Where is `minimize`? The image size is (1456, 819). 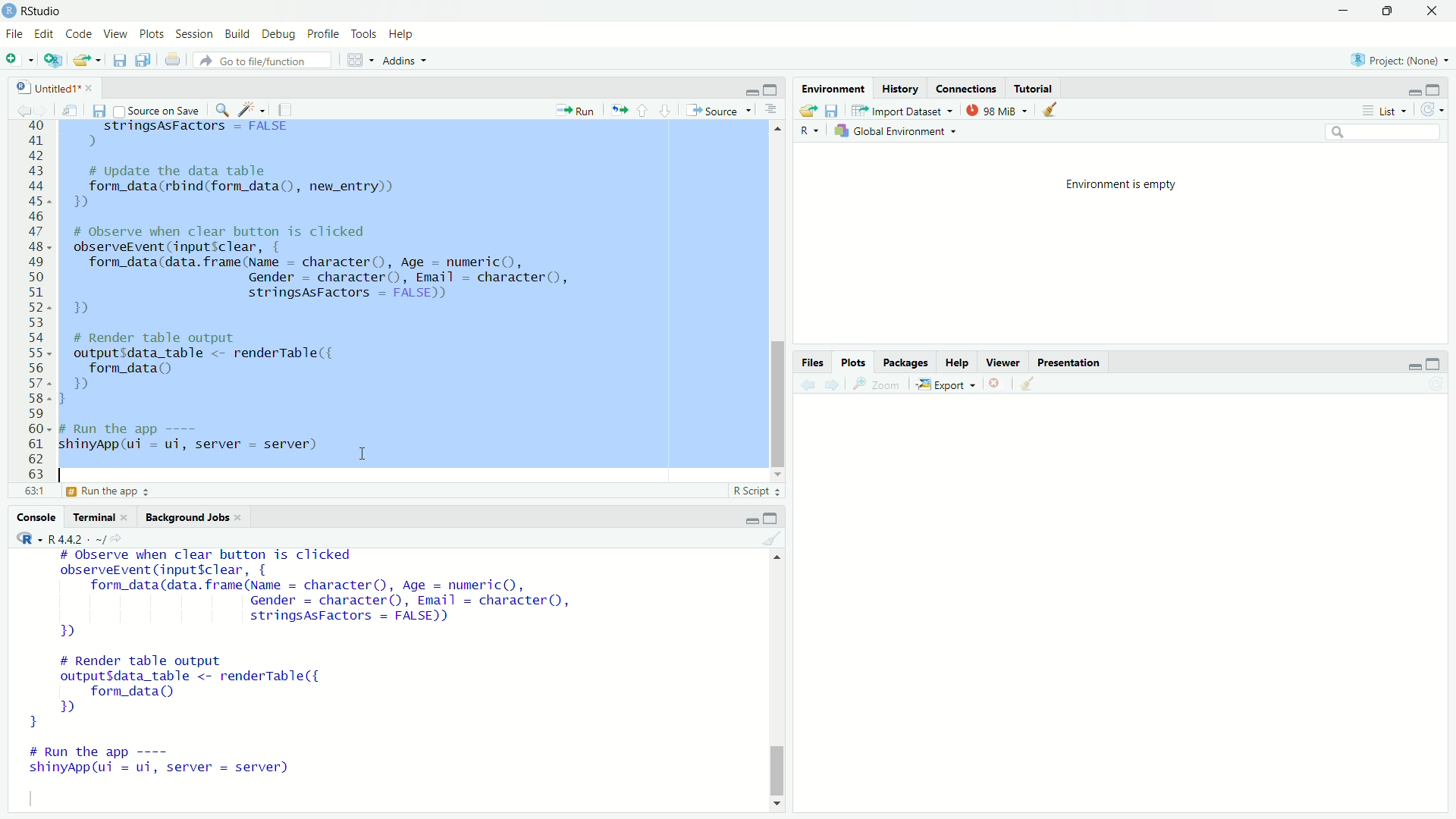
minimize is located at coordinates (1410, 91).